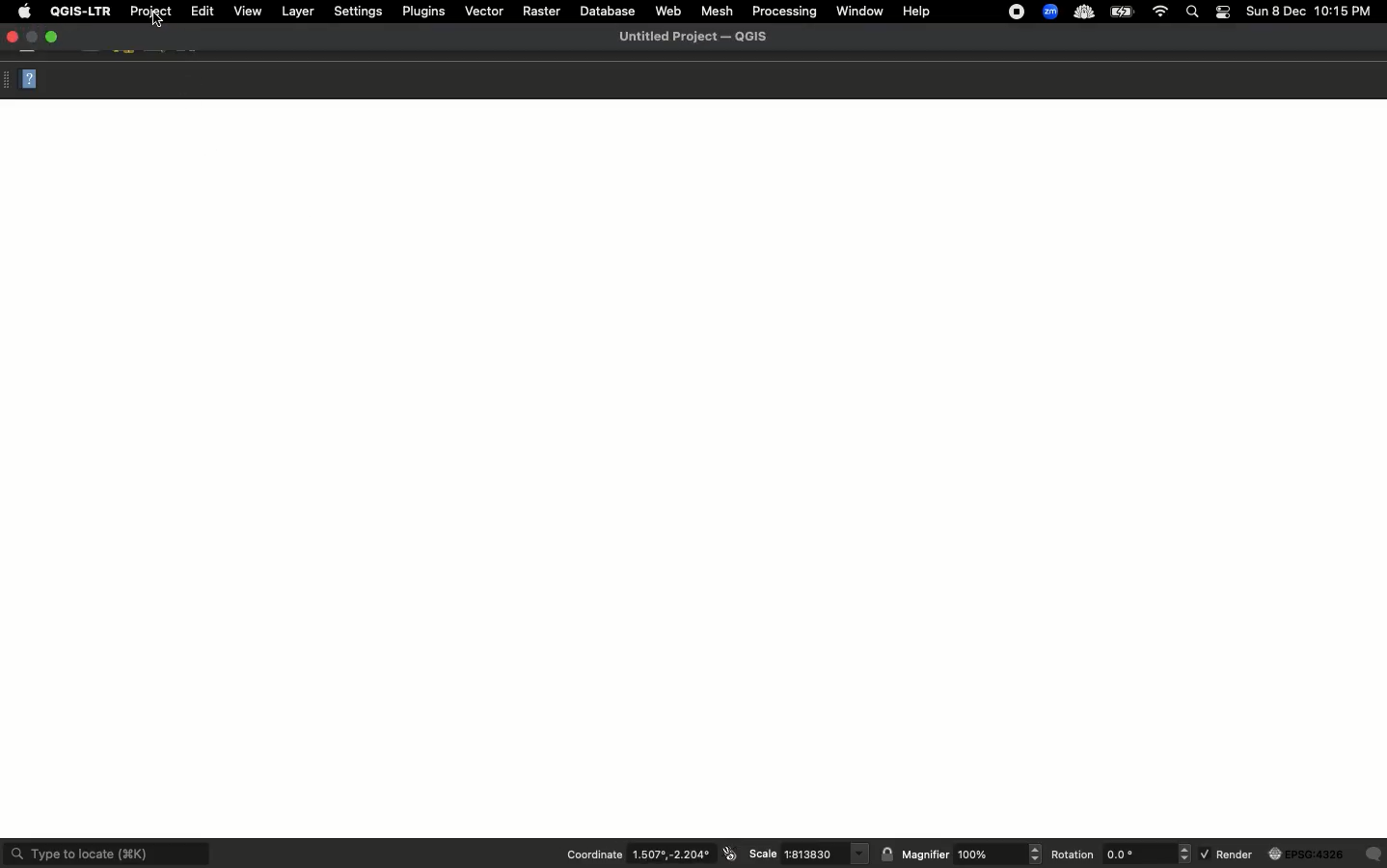  What do you see at coordinates (1149, 854) in the screenshot?
I see `rotation` at bounding box center [1149, 854].